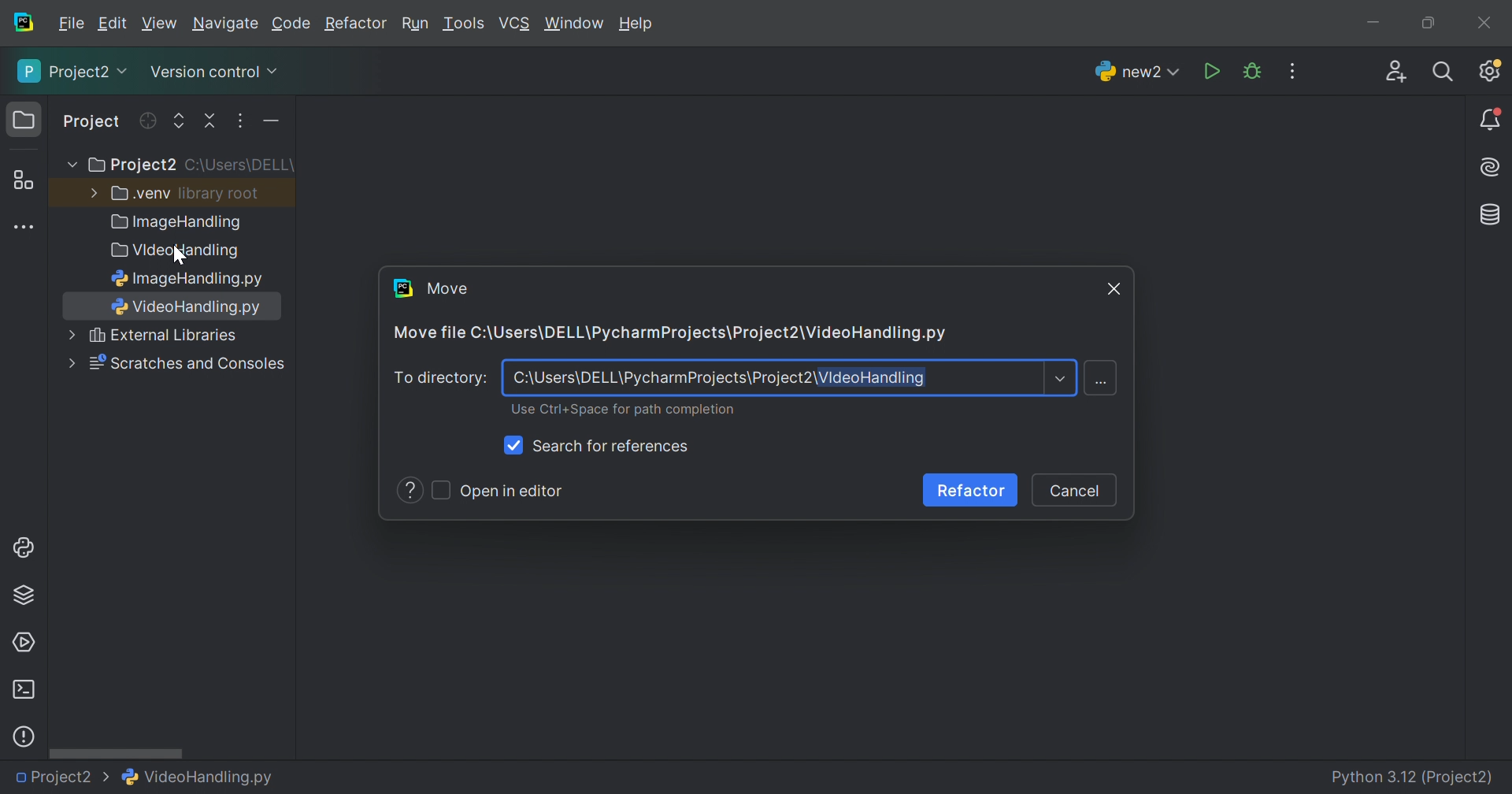 The width and height of the screenshot is (1512, 794). What do you see at coordinates (1396, 74) in the screenshot?
I see `Code with me` at bounding box center [1396, 74].